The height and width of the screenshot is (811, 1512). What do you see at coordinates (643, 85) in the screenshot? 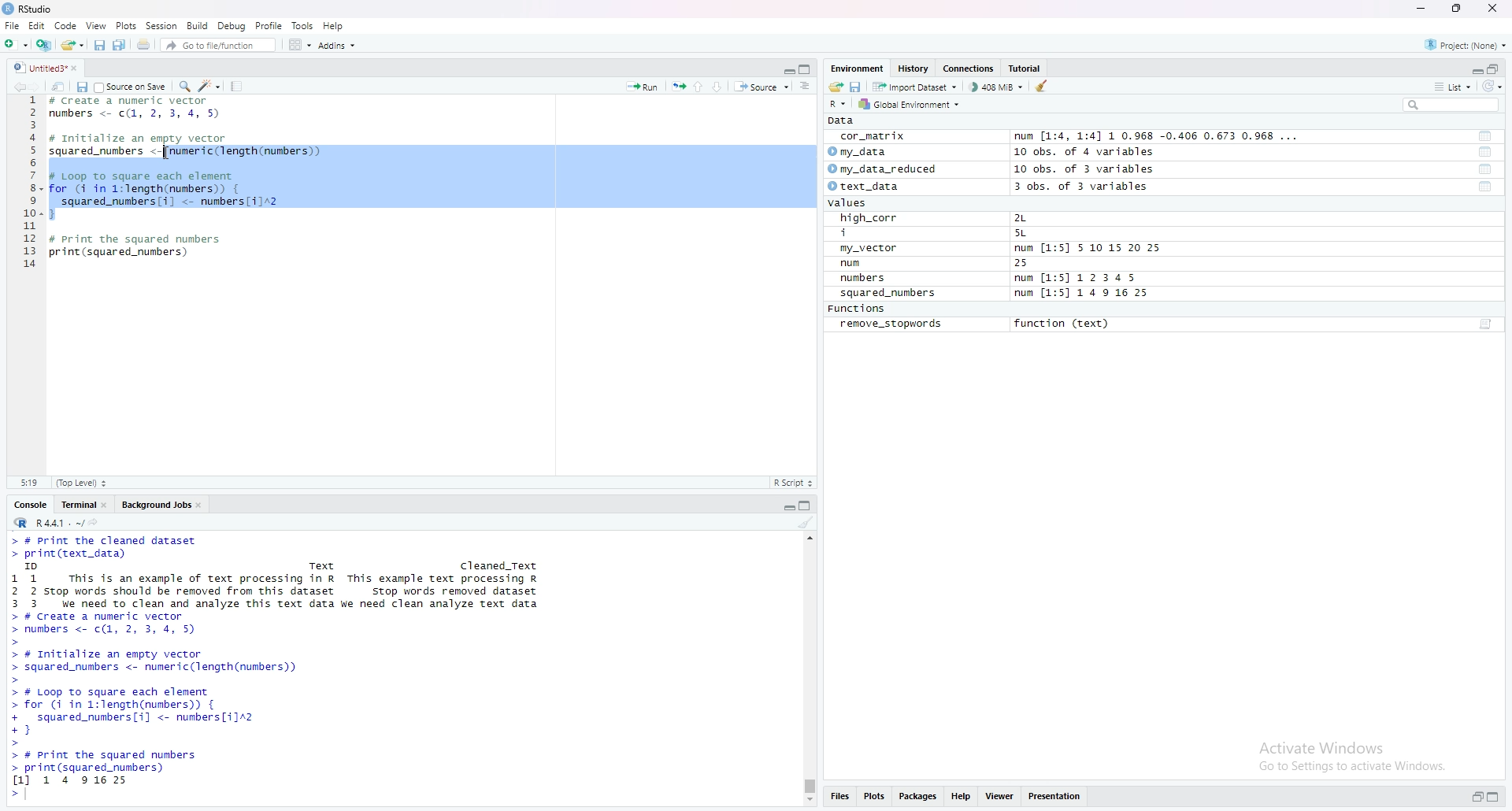
I see `Run` at bounding box center [643, 85].